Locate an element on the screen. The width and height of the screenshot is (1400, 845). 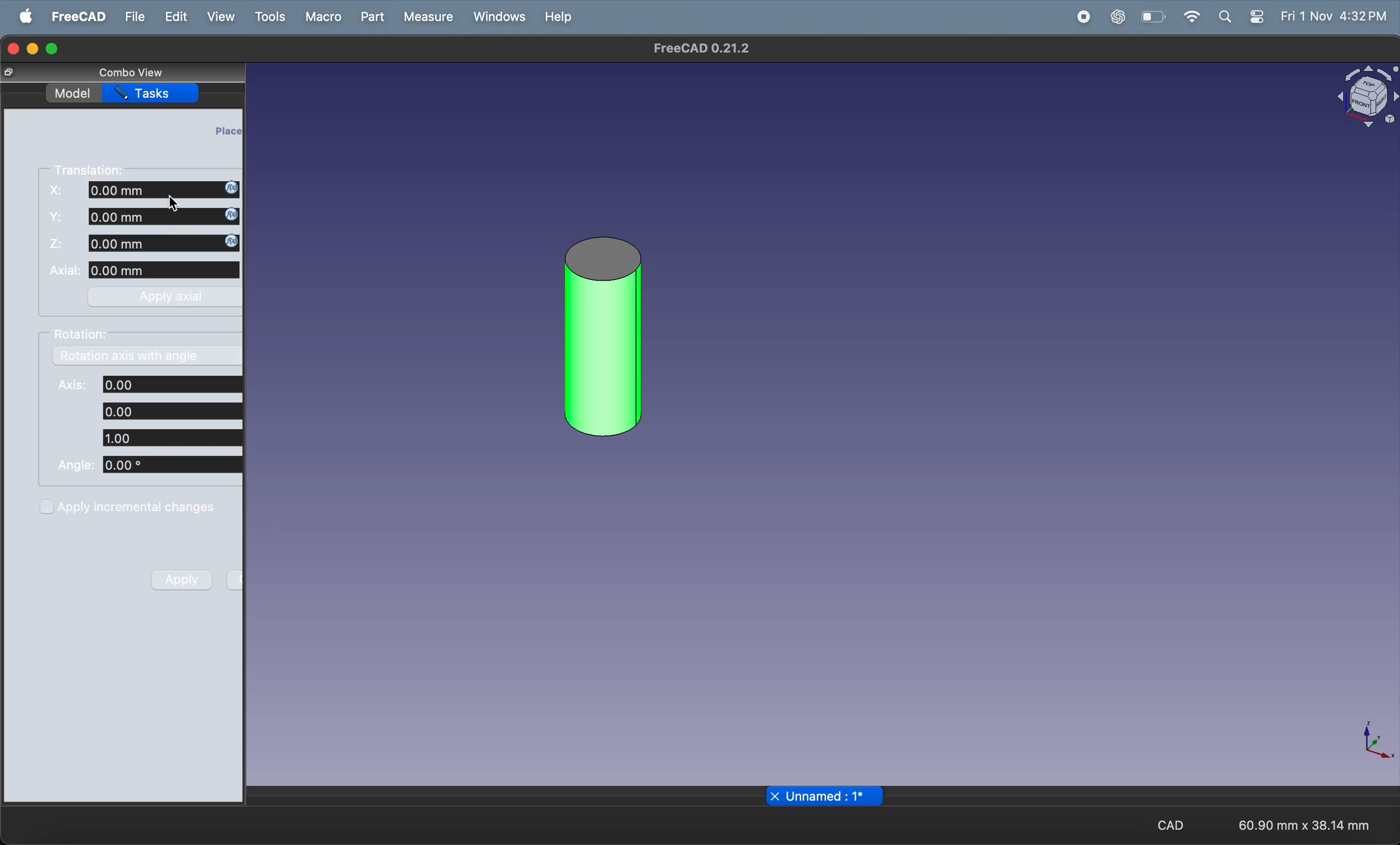
closing window is located at coordinates (13, 48).